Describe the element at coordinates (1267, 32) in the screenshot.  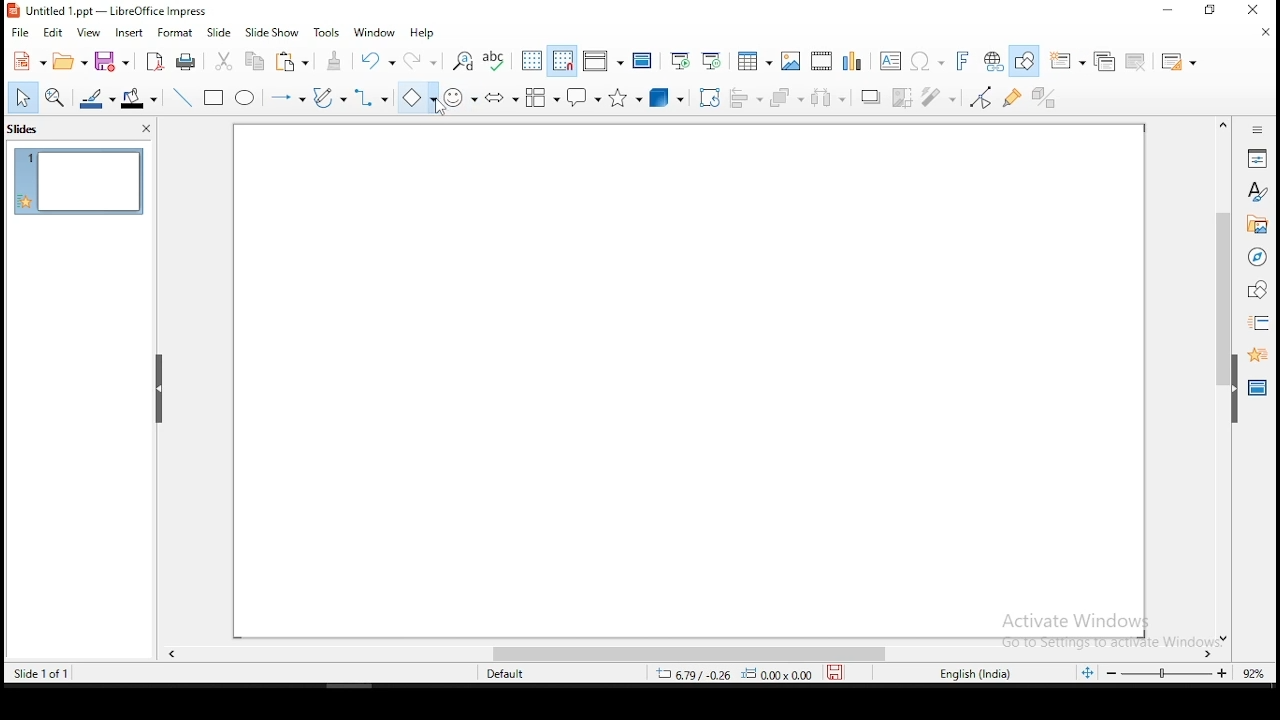
I see `close document` at that location.